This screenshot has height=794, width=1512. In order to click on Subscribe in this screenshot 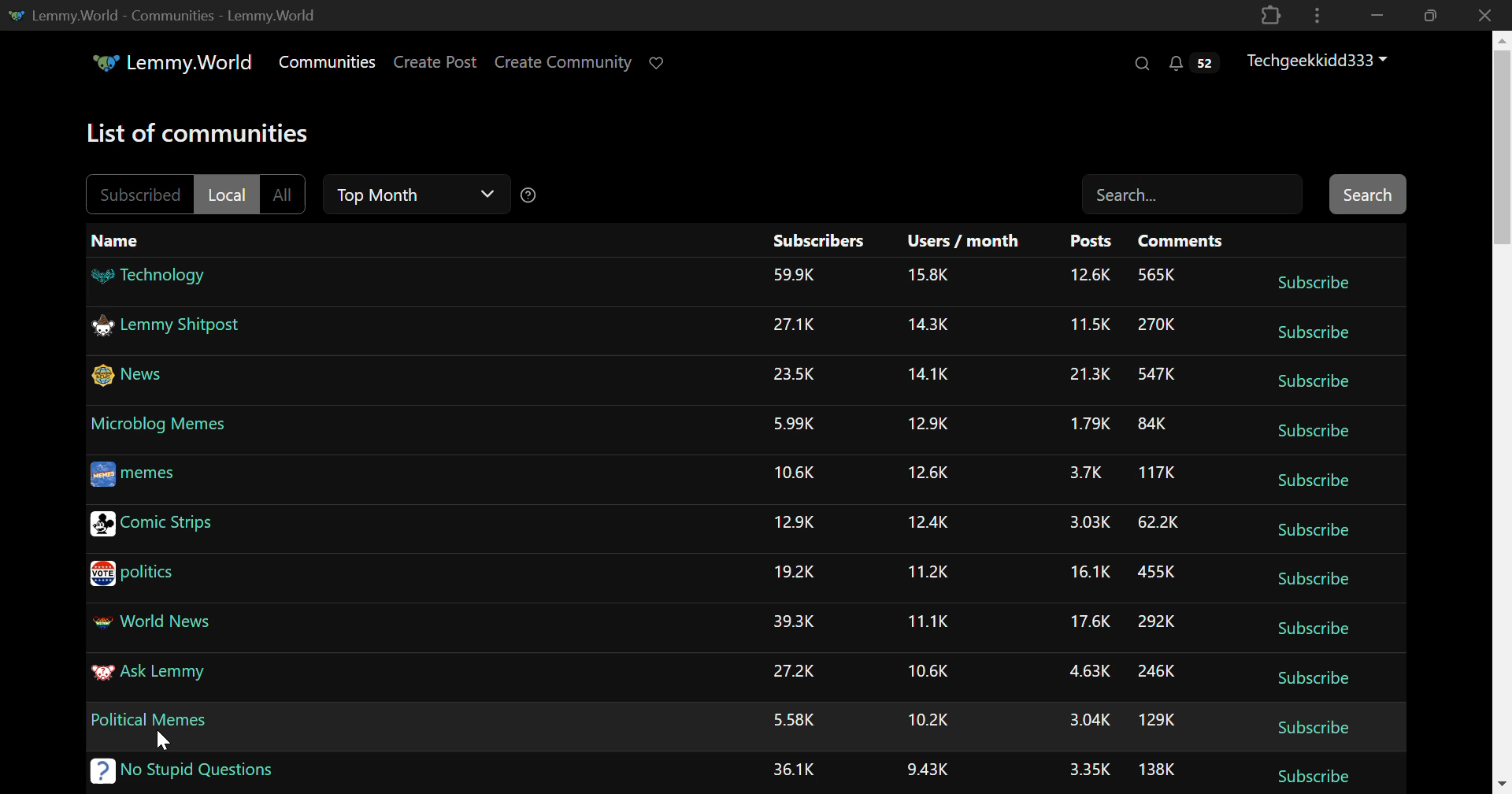, I will do `click(1310, 431)`.